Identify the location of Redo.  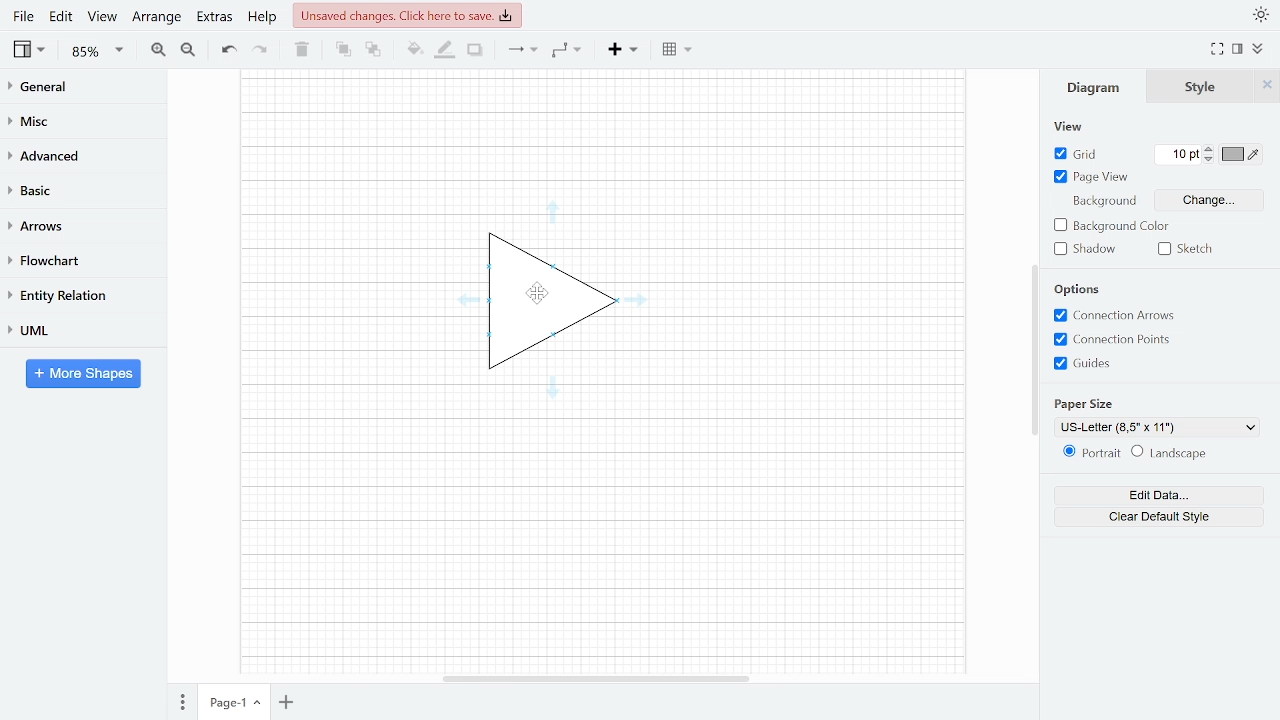
(258, 48).